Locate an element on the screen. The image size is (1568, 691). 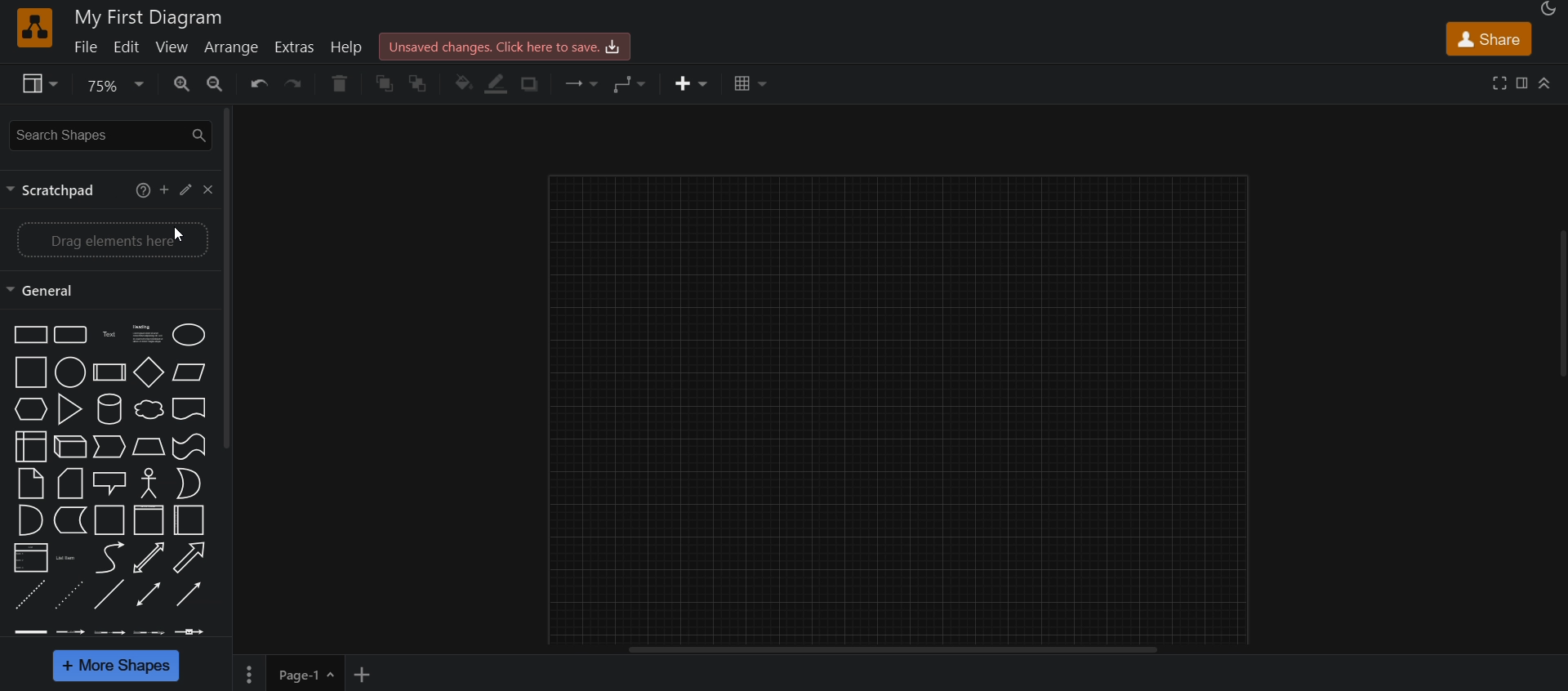
to back is located at coordinates (421, 84).